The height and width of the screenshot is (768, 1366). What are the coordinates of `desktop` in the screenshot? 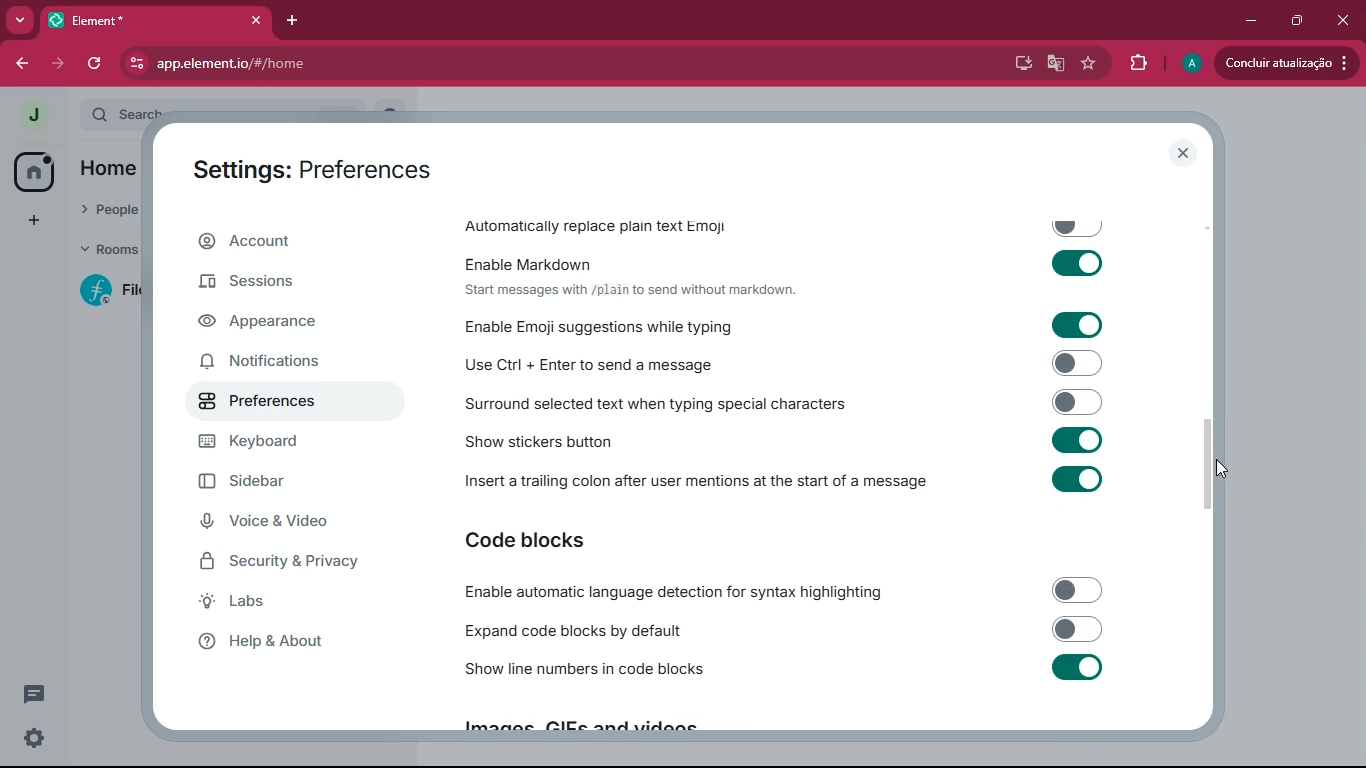 It's located at (1020, 62).